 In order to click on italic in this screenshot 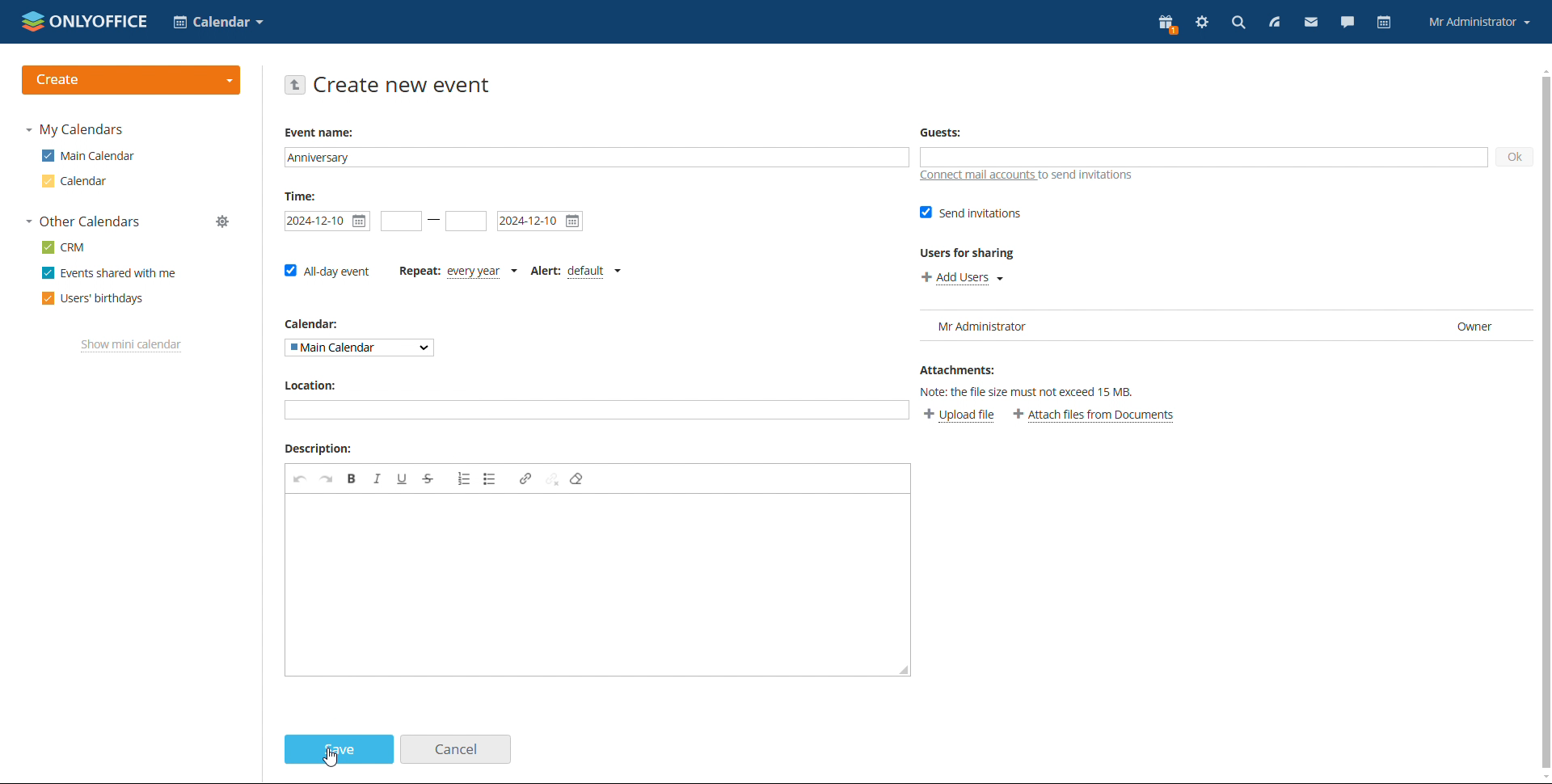, I will do `click(377, 478)`.